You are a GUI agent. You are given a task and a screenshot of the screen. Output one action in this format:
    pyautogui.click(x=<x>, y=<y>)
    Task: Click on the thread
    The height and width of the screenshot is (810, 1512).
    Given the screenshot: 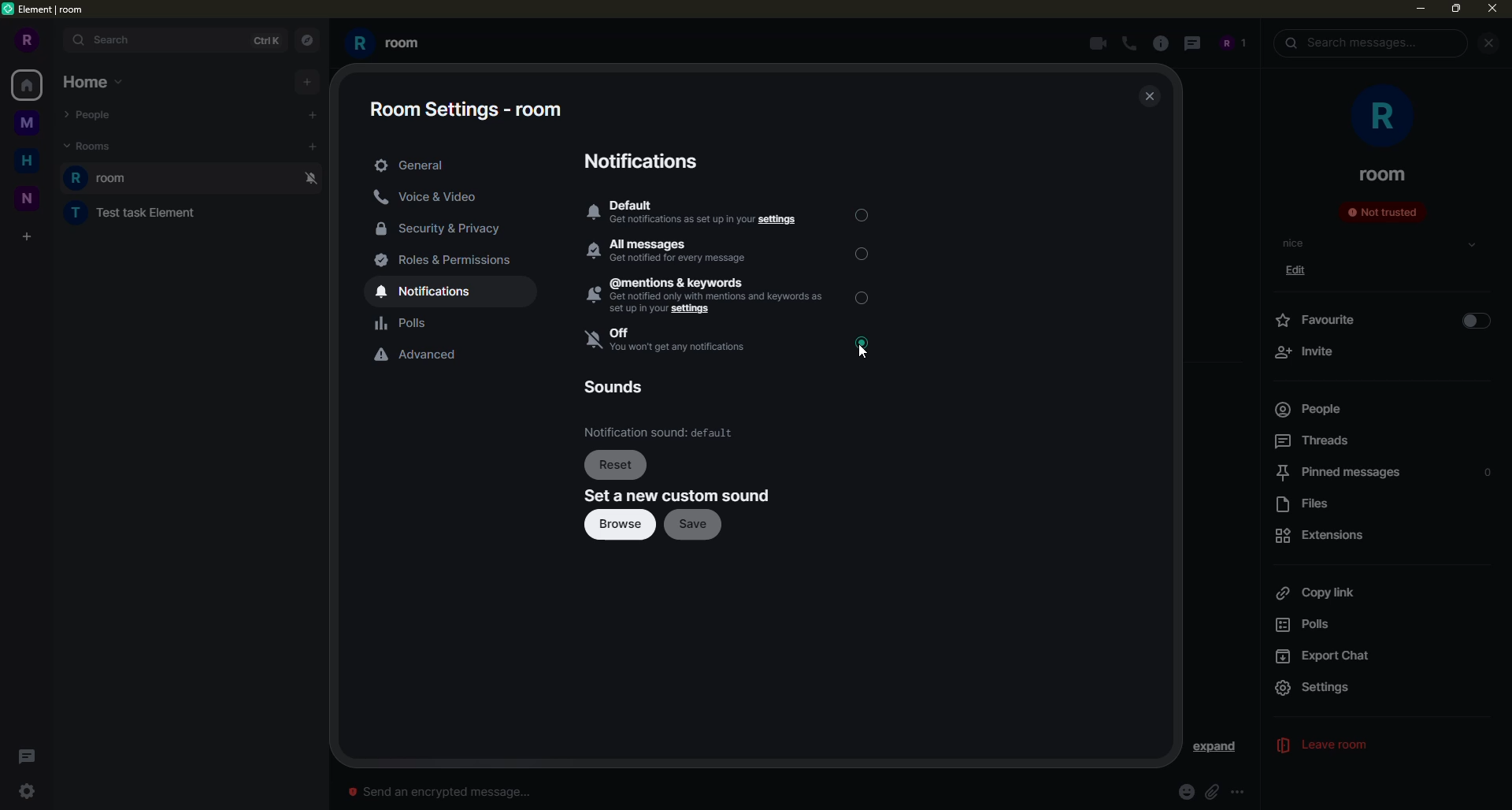 What is the action you would take?
    pyautogui.click(x=1192, y=43)
    